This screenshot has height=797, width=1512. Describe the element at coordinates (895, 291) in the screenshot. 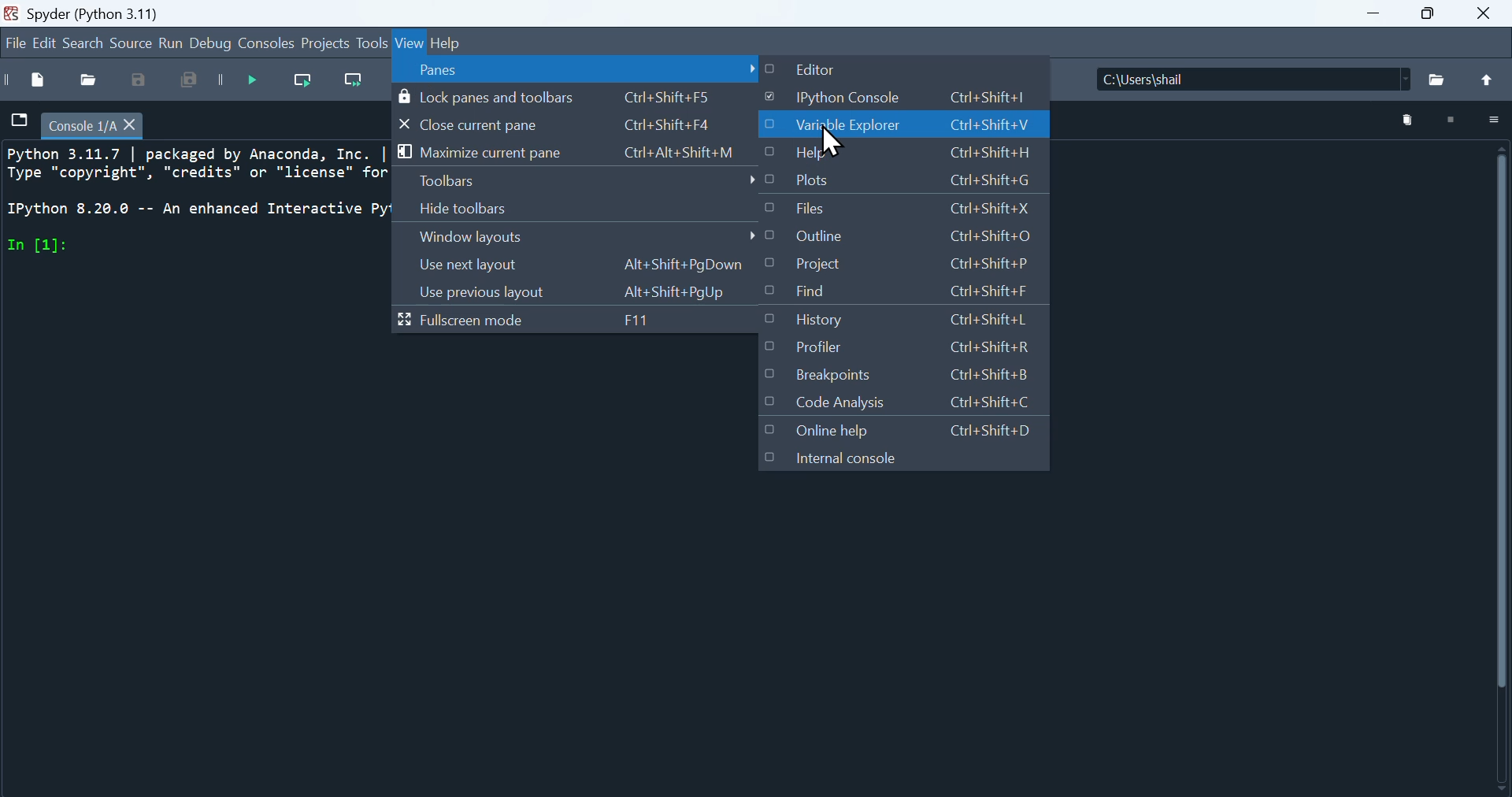

I see `Find` at that location.